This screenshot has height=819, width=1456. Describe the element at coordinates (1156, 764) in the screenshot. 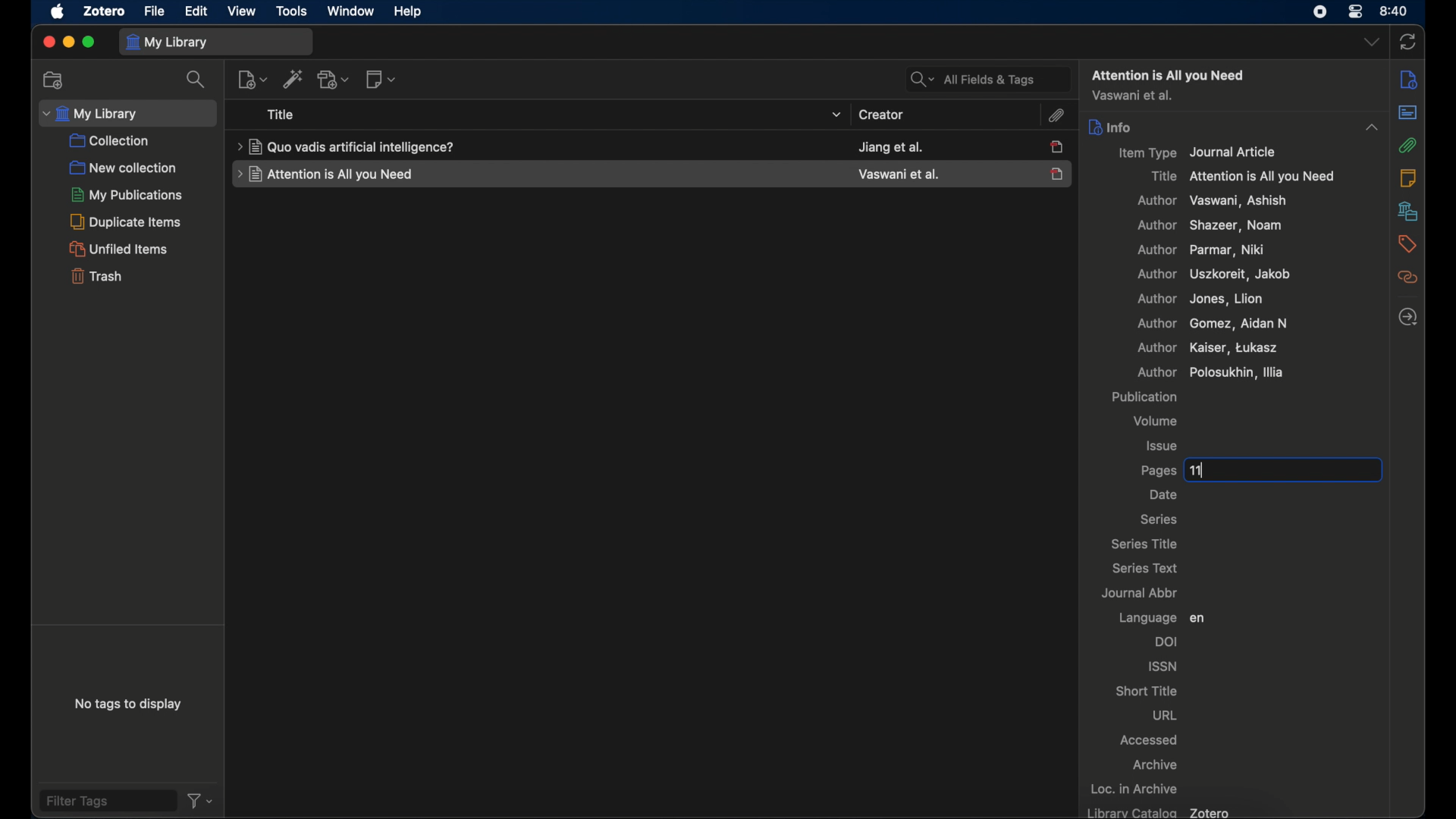

I see `archive` at that location.